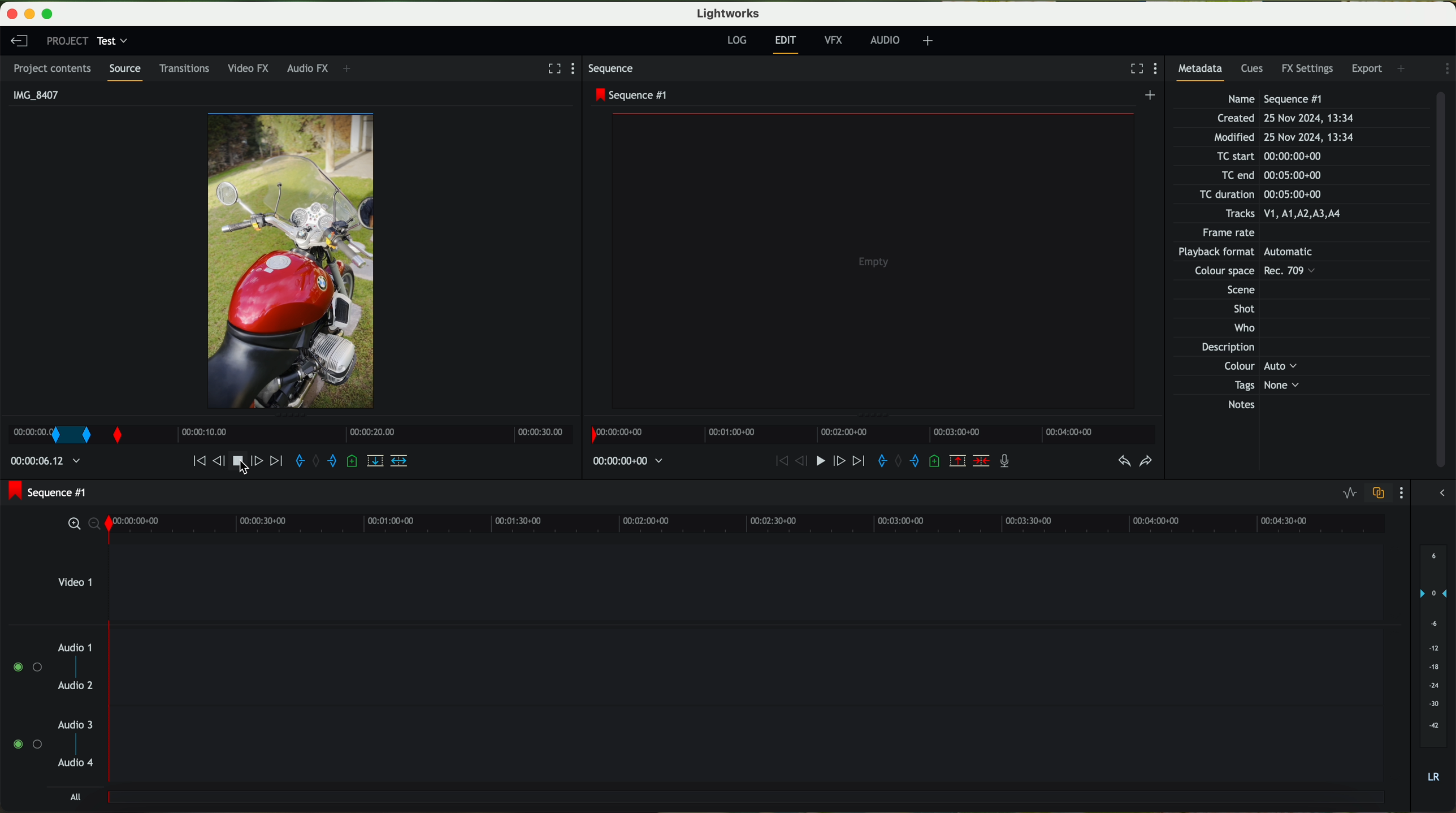 The height and width of the screenshot is (813, 1456). I want to click on transitions, so click(187, 68).